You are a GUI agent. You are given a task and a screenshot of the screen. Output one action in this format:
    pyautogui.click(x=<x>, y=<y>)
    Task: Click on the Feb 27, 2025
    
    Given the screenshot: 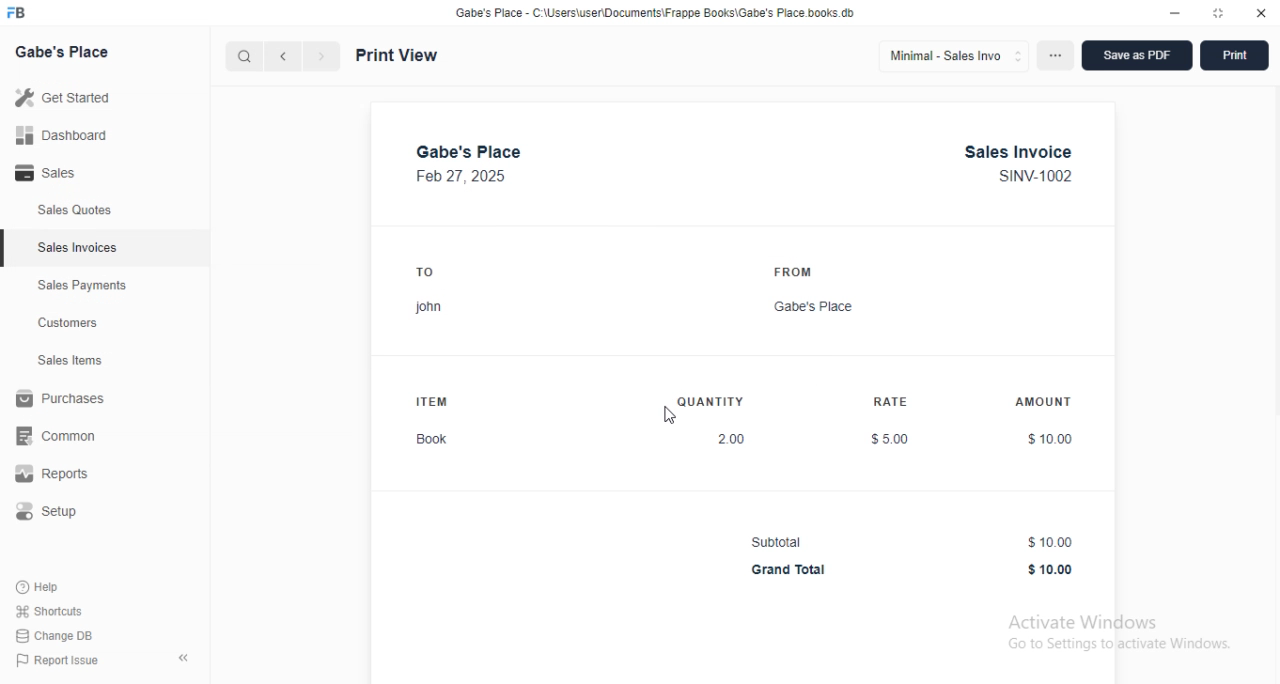 What is the action you would take?
    pyautogui.click(x=462, y=177)
    